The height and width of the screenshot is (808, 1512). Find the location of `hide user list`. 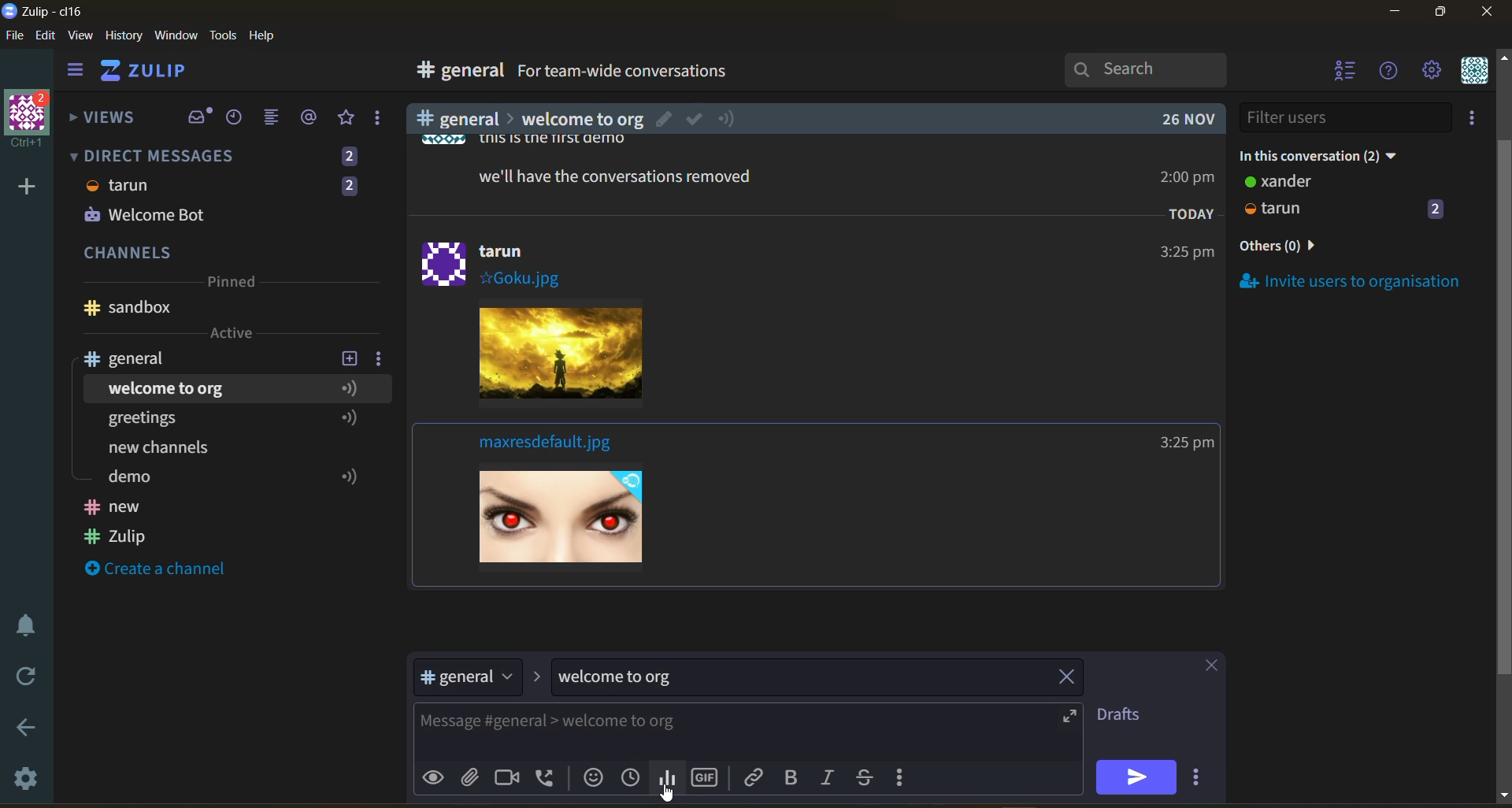

hide user list is located at coordinates (1346, 72).